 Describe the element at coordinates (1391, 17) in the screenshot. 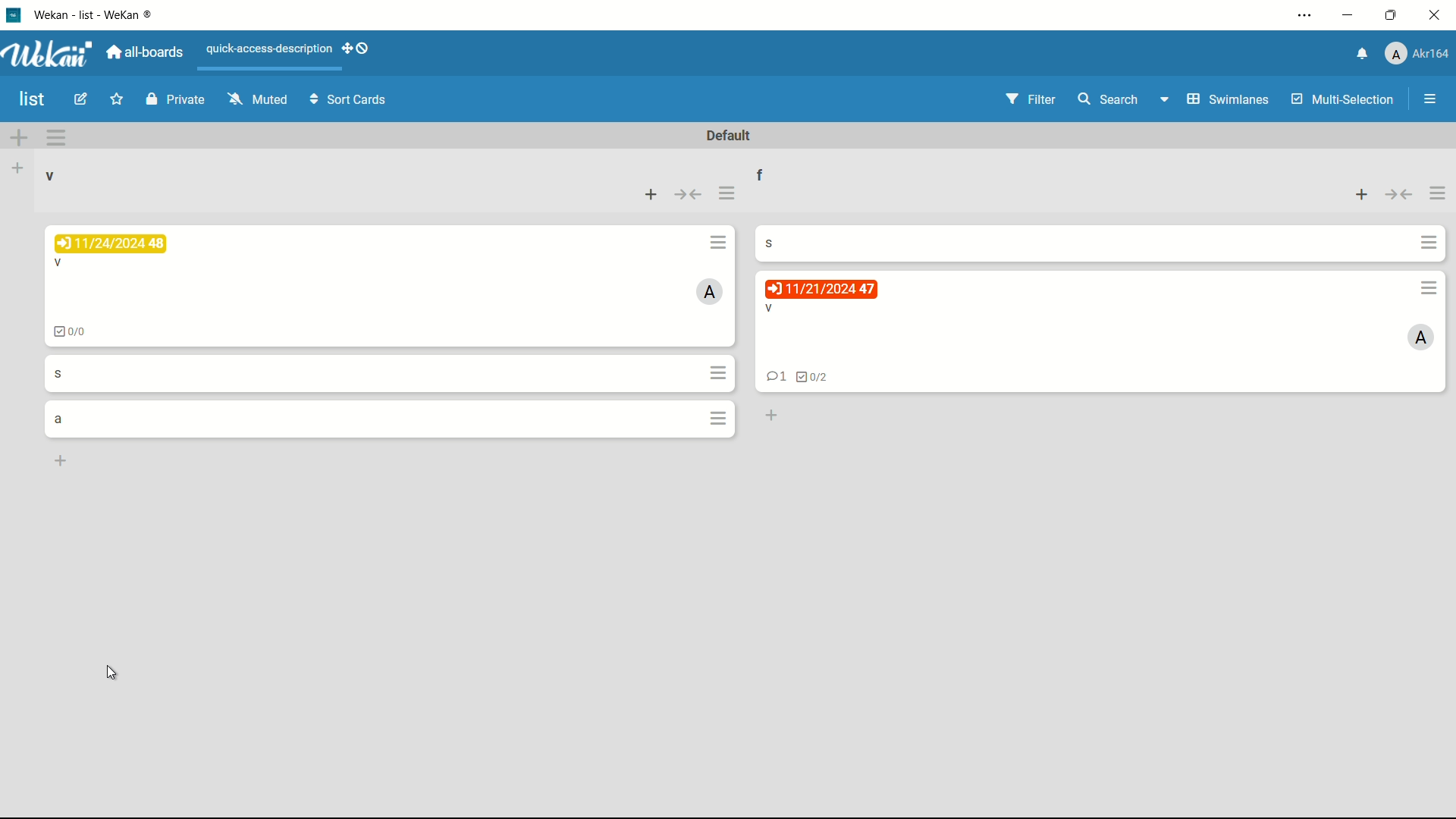

I see `maximize` at that location.